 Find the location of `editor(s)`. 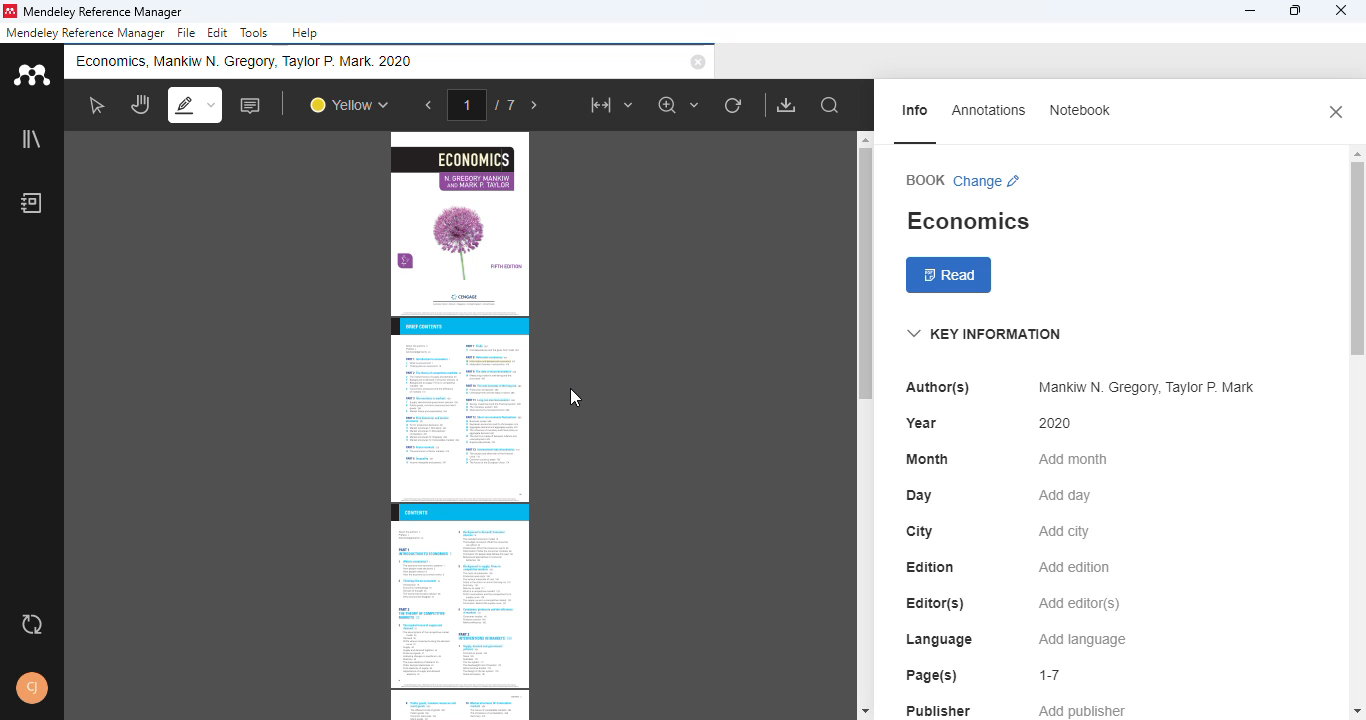

editor(s) is located at coordinates (936, 603).